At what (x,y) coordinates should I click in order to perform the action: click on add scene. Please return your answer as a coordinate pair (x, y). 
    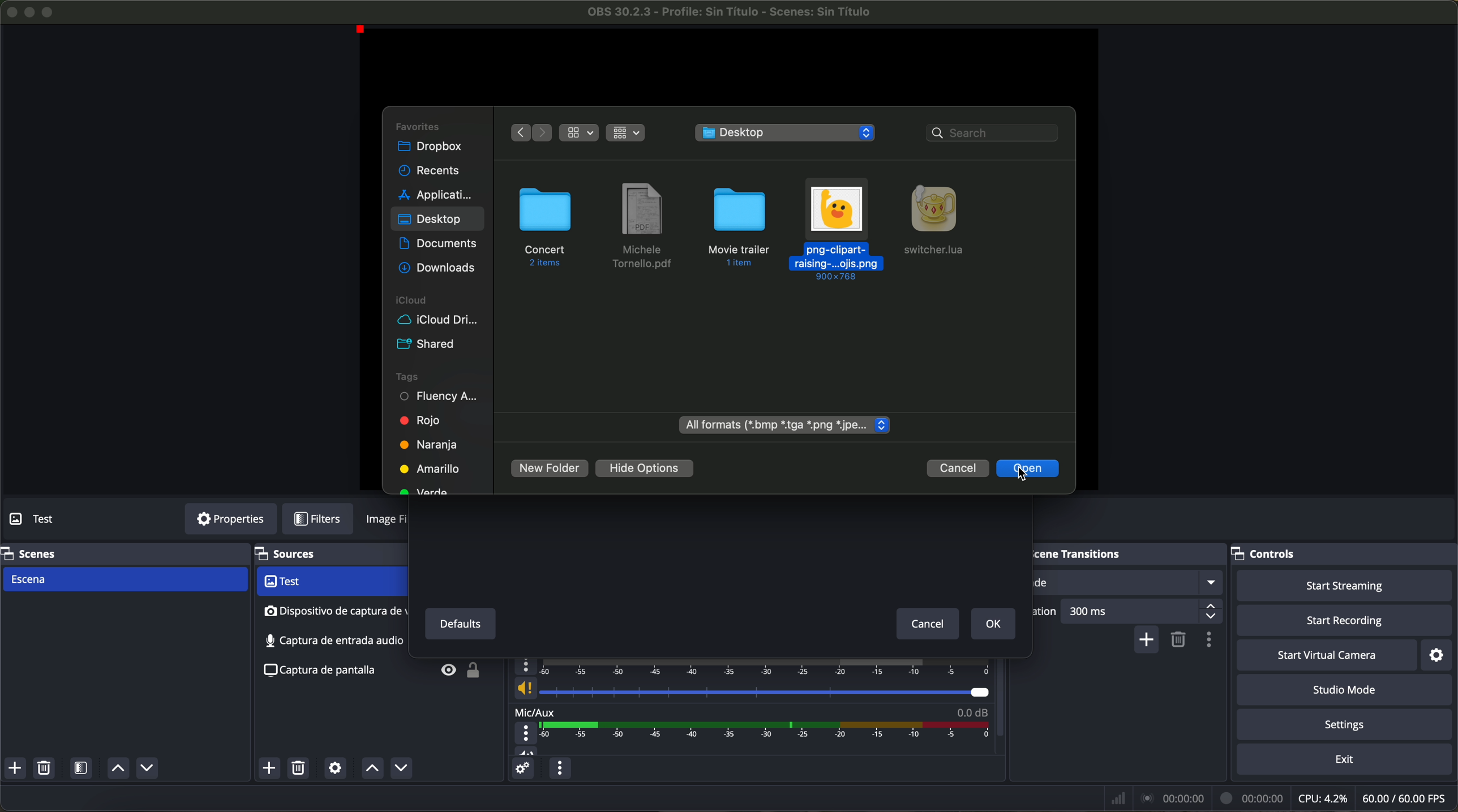
    Looking at the image, I should click on (15, 768).